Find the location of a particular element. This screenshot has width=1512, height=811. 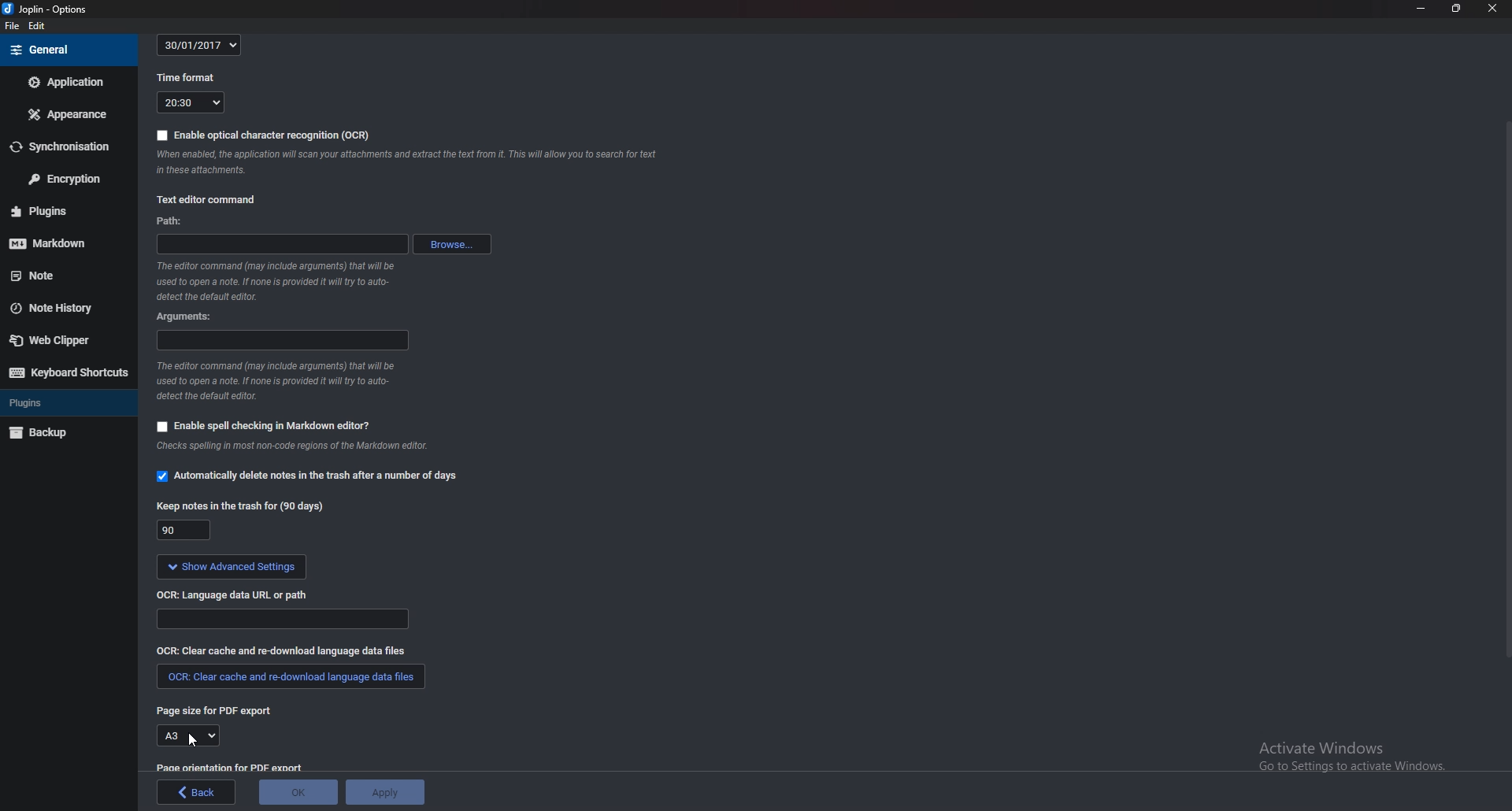

Appearance is located at coordinates (65, 116).